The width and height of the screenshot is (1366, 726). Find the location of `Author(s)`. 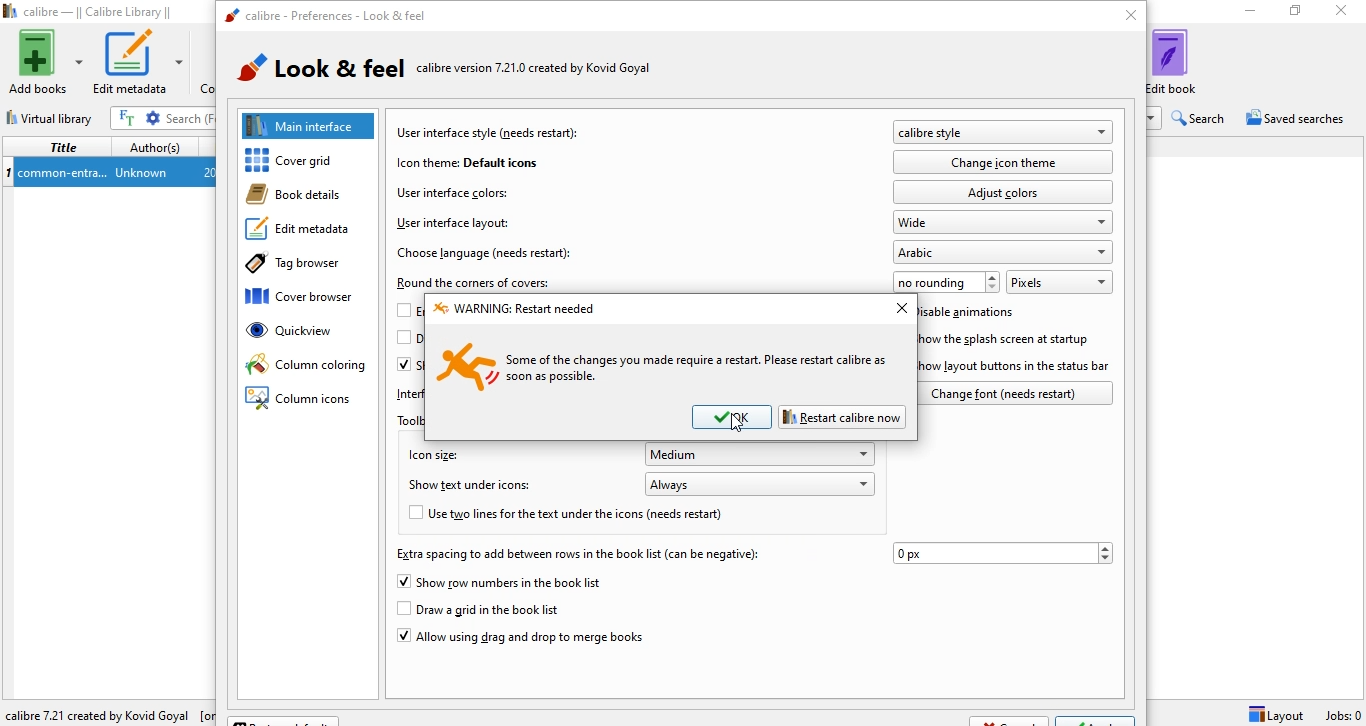

Author(s) is located at coordinates (156, 145).